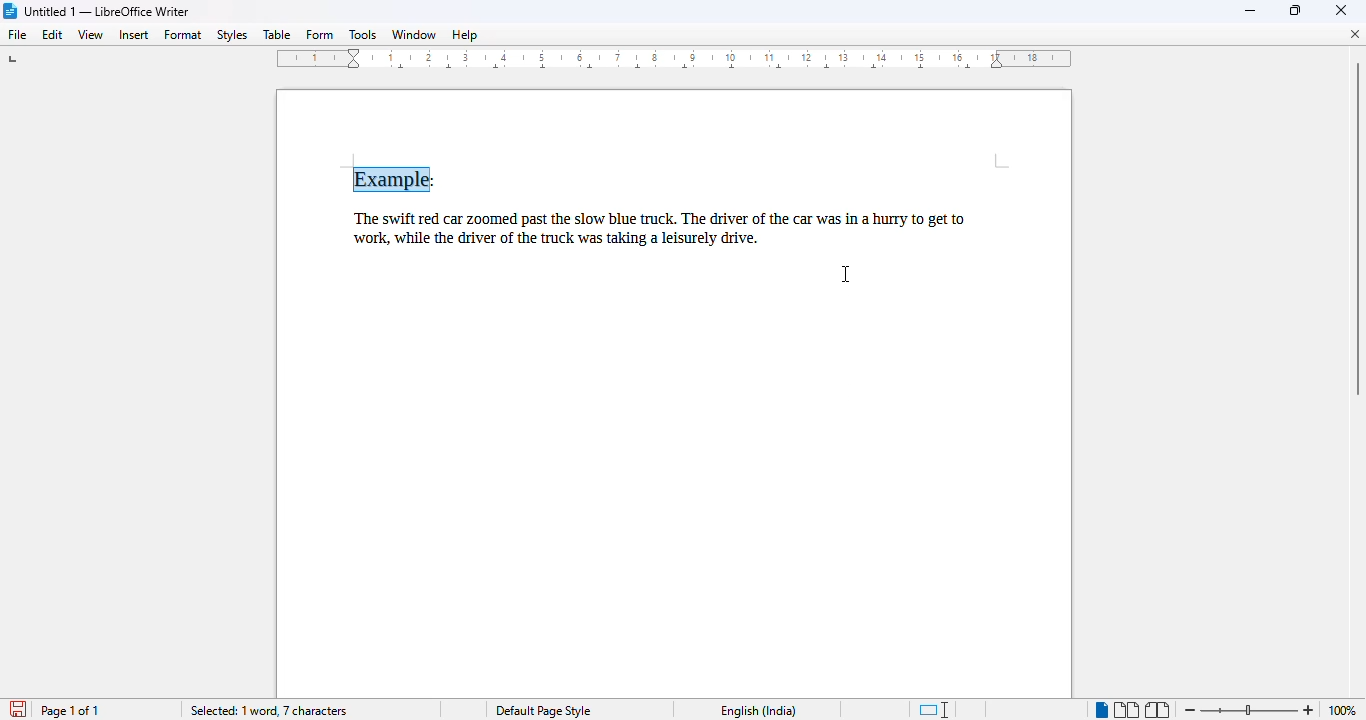 This screenshot has height=720, width=1366. I want to click on Selected: 1 word, 7 characters, so click(272, 710).